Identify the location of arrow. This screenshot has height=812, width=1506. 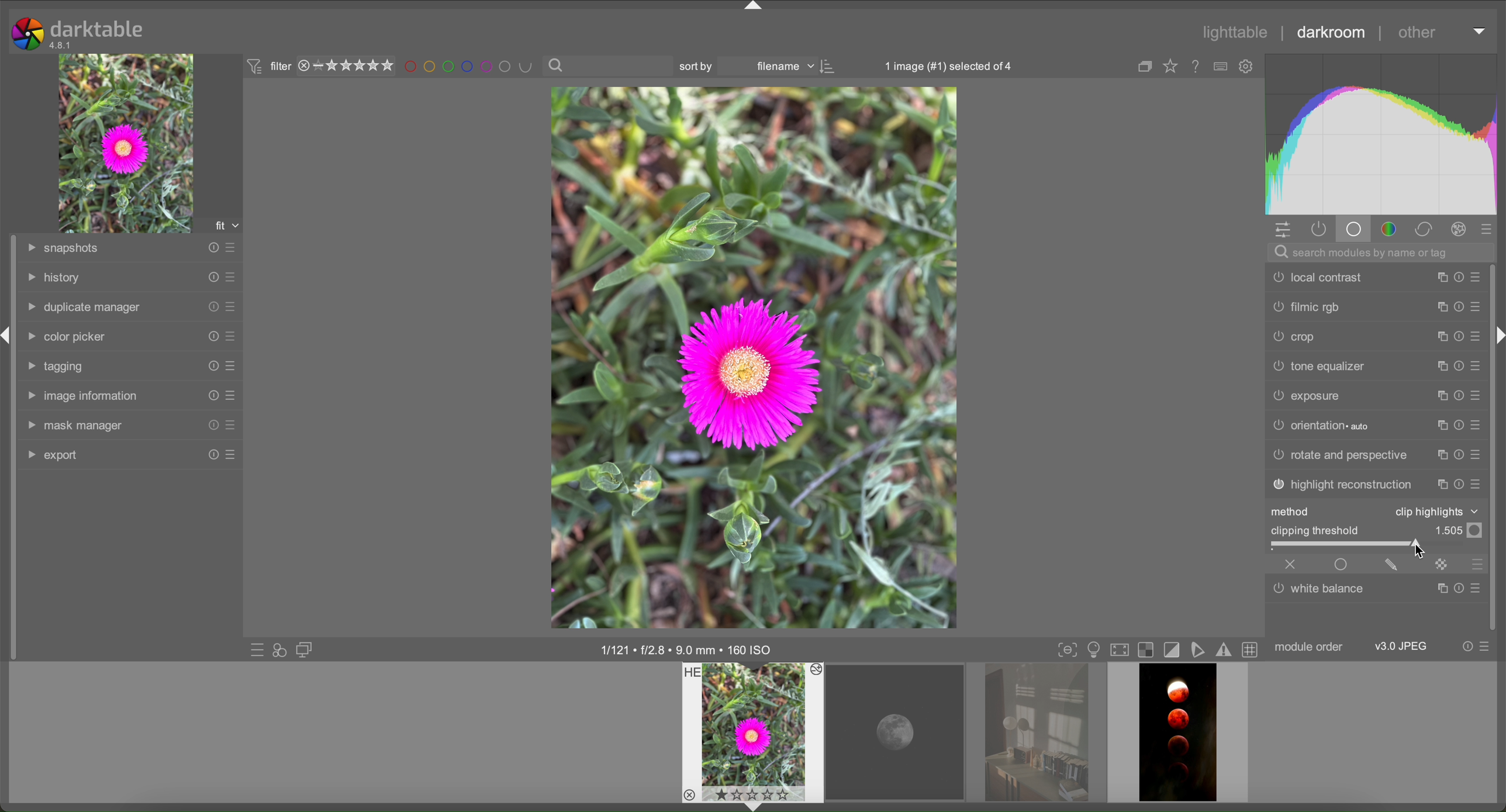
(752, 806).